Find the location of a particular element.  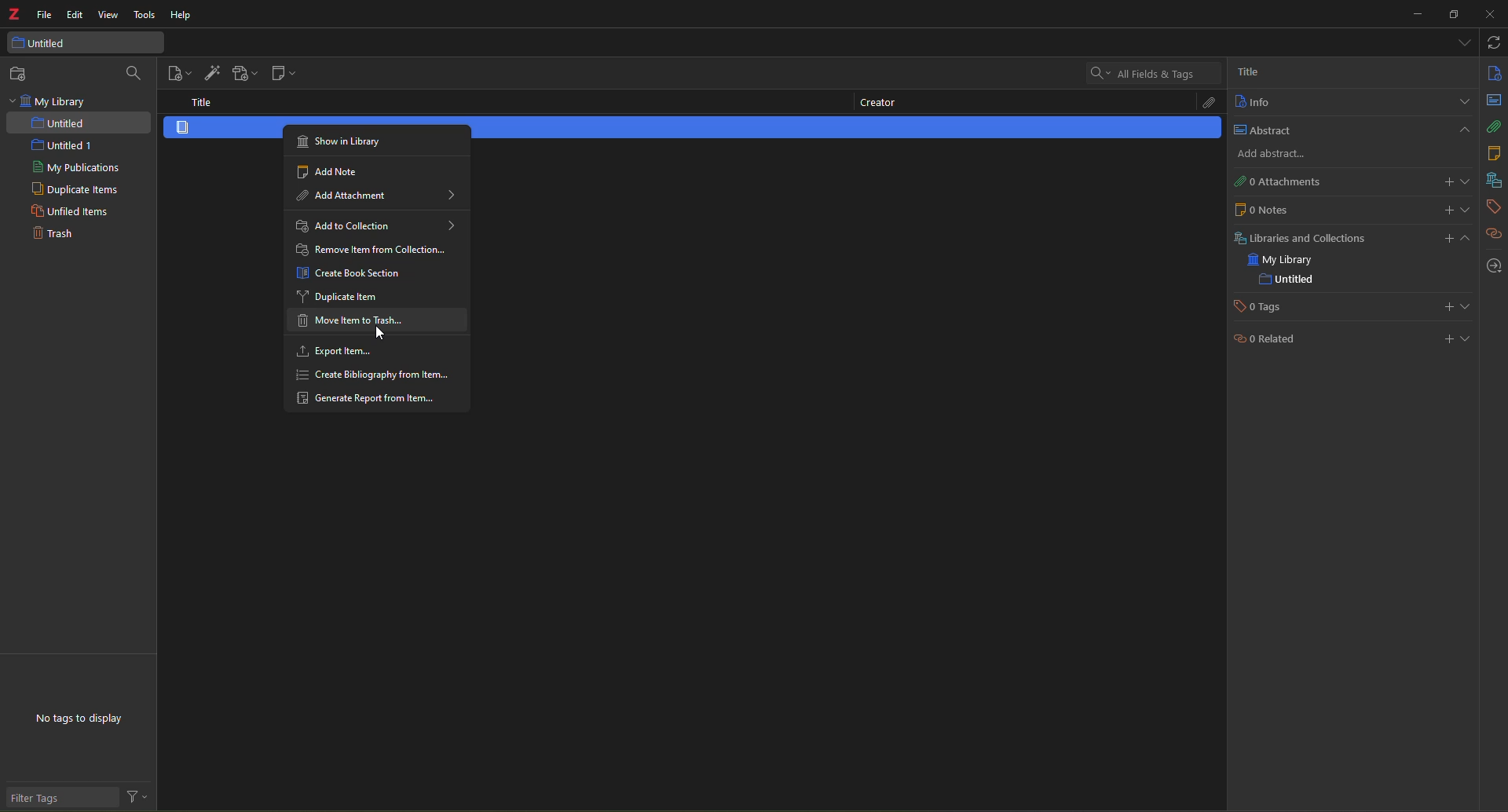

creator is located at coordinates (876, 104).